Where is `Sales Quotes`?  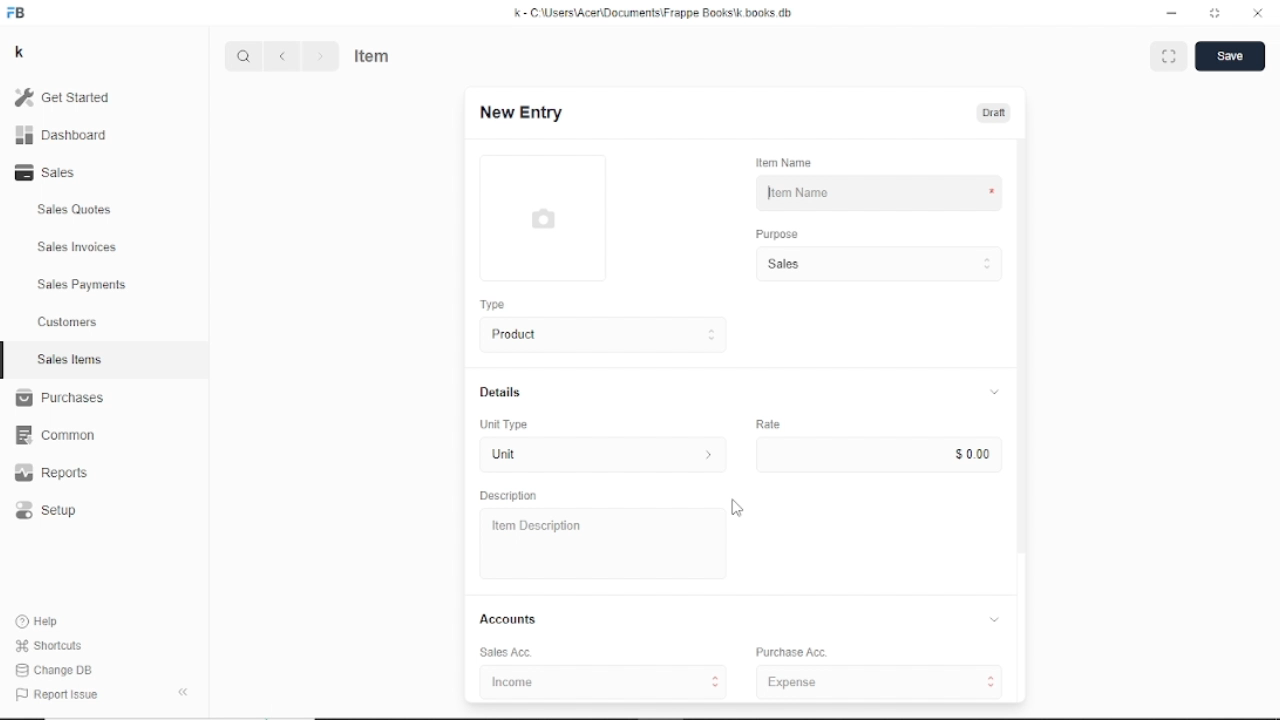 Sales Quotes is located at coordinates (76, 210).